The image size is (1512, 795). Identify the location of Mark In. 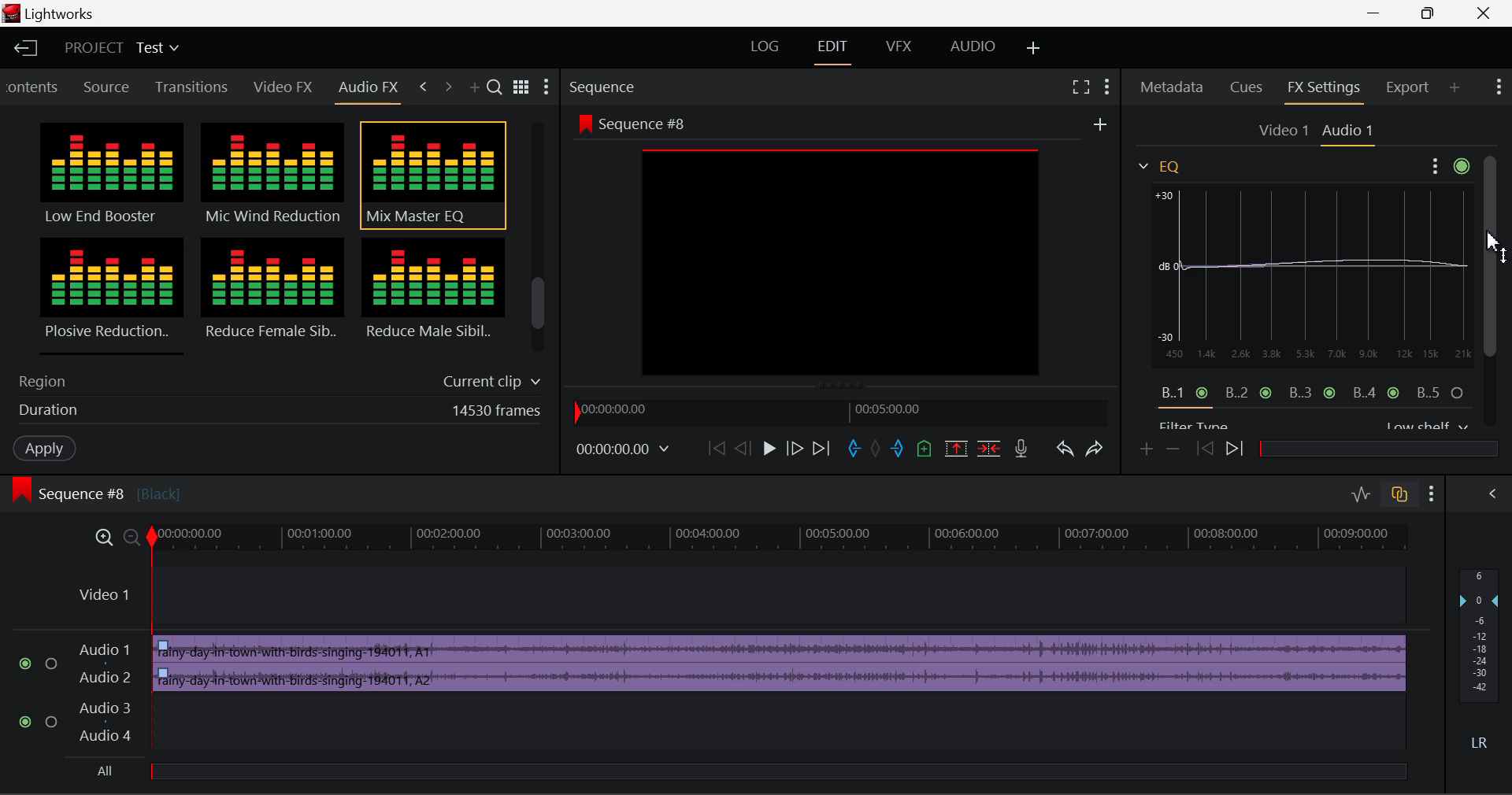
(857, 449).